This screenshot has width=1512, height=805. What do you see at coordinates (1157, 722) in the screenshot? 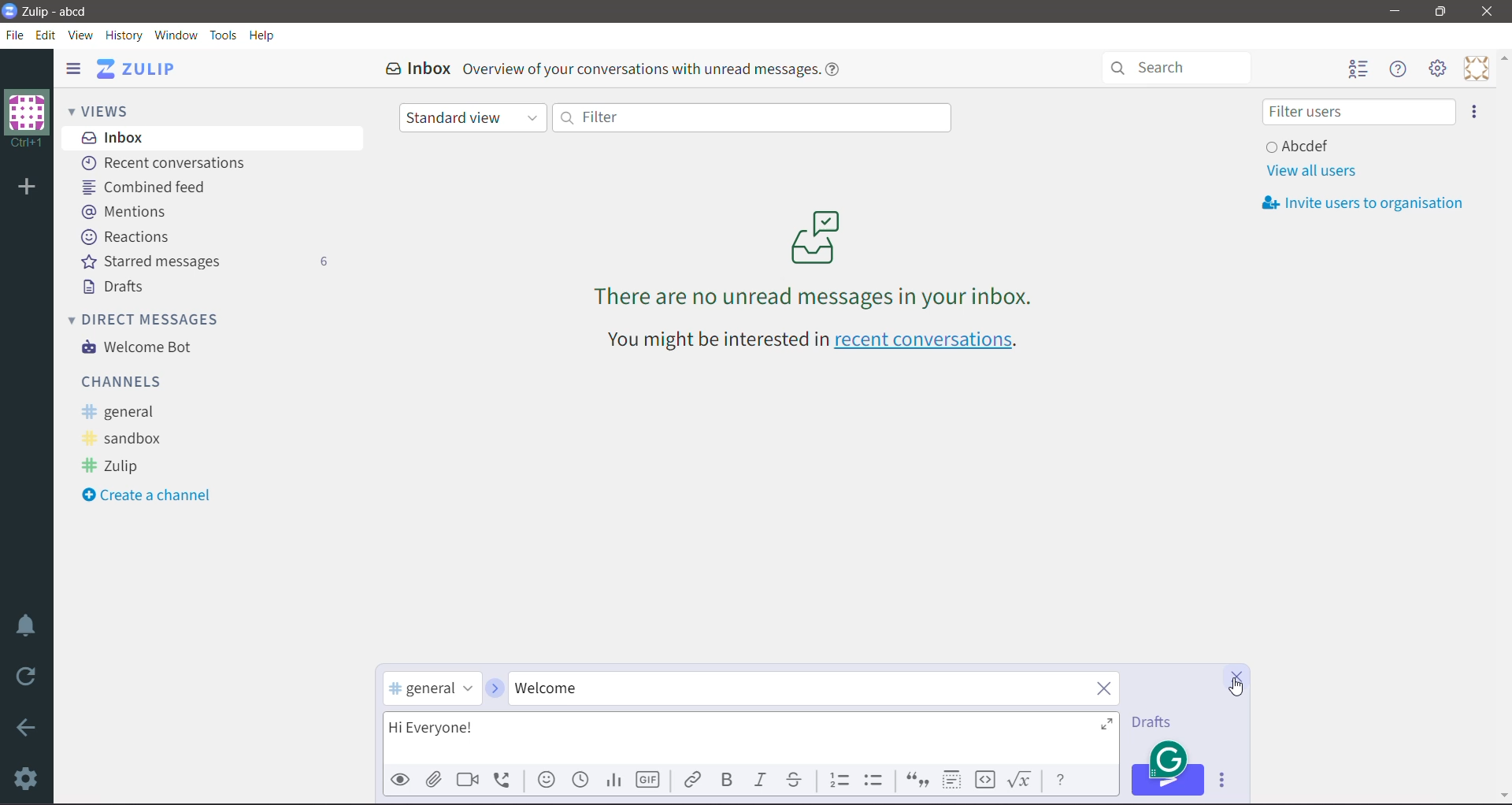
I see `Drafts` at bounding box center [1157, 722].